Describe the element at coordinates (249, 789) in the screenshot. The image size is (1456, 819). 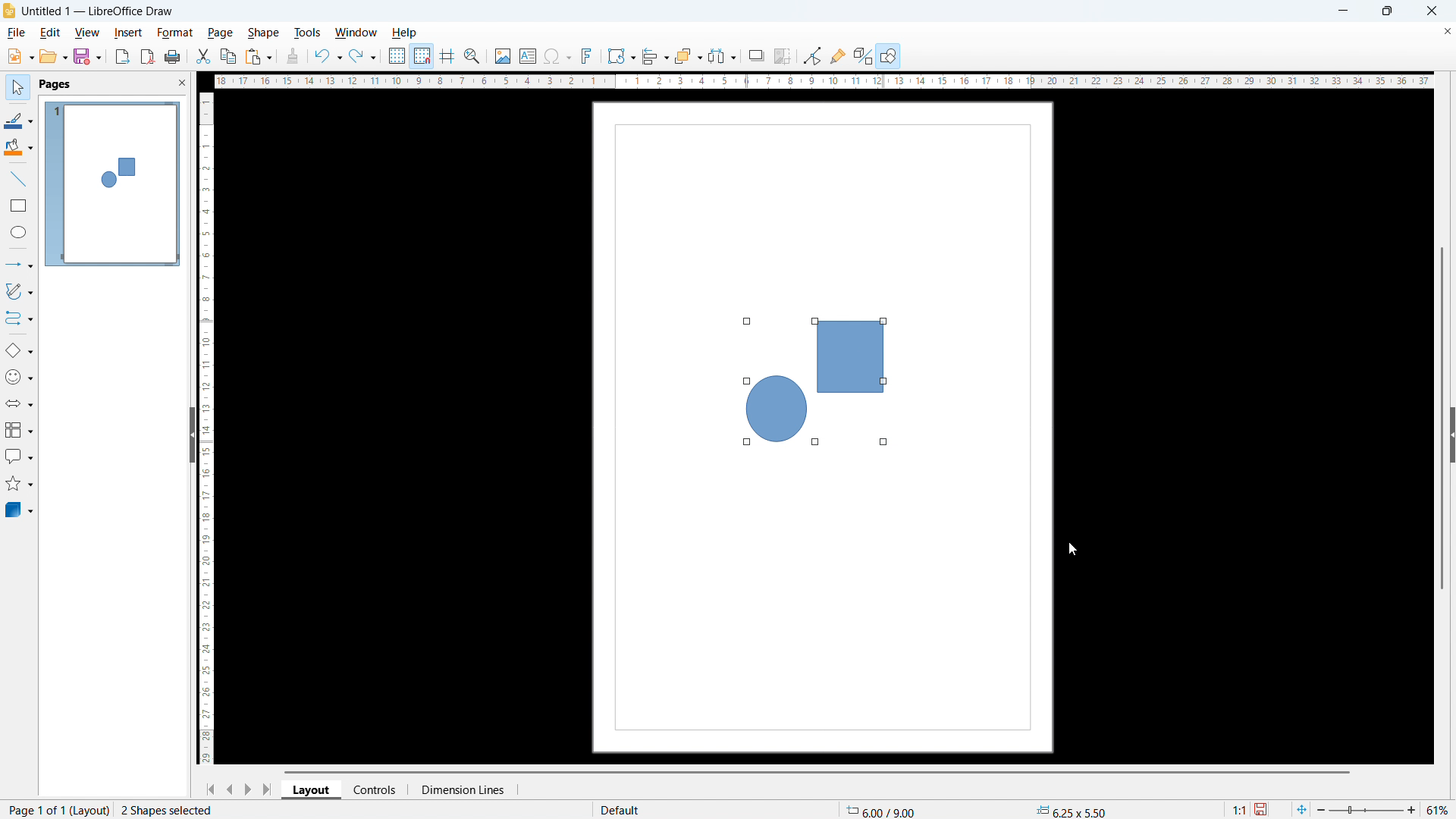
I see `next page` at that location.